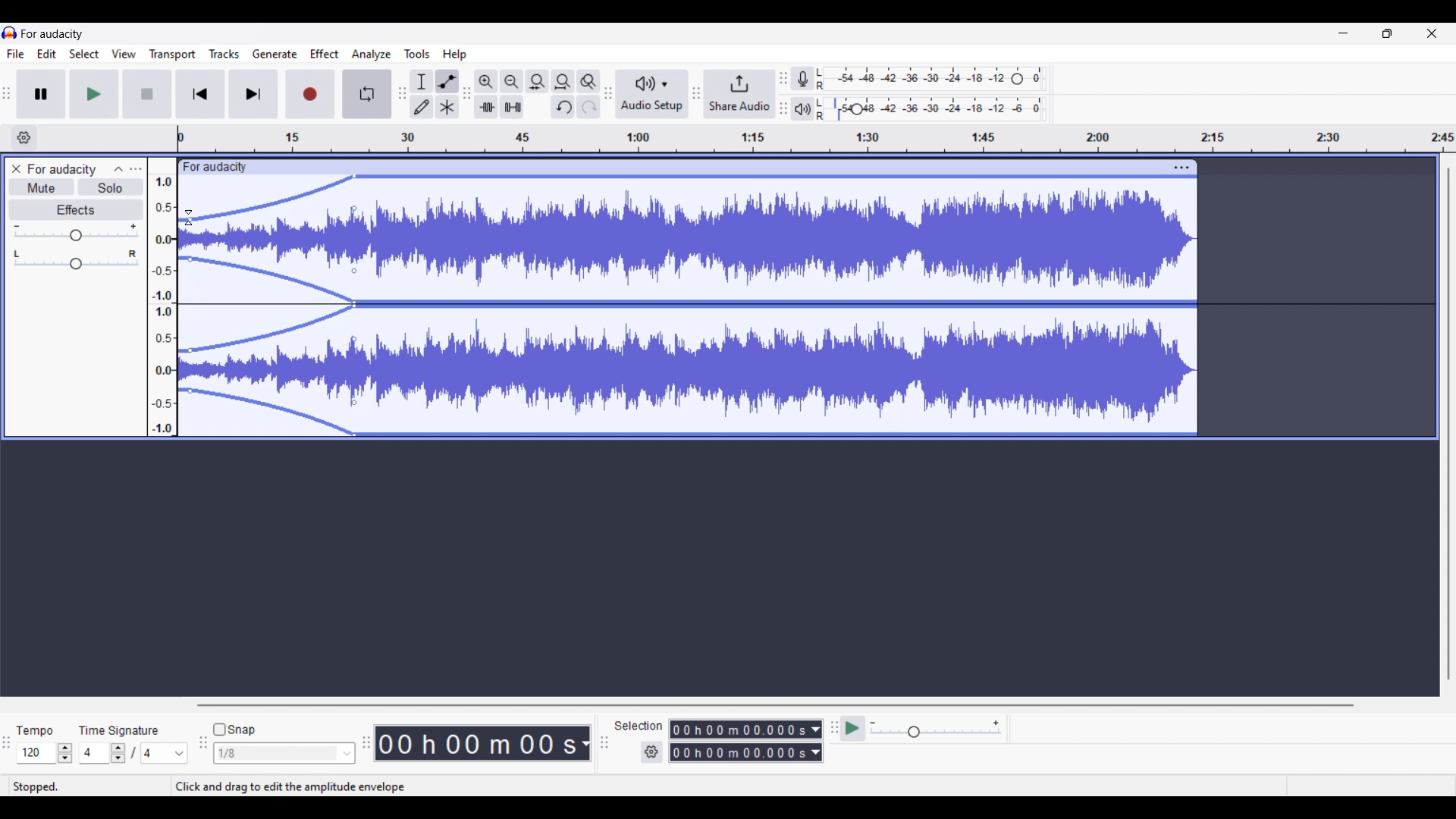  What do you see at coordinates (1182, 168) in the screenshot?
I see `Track settings` at bounding box center [1182, 168].